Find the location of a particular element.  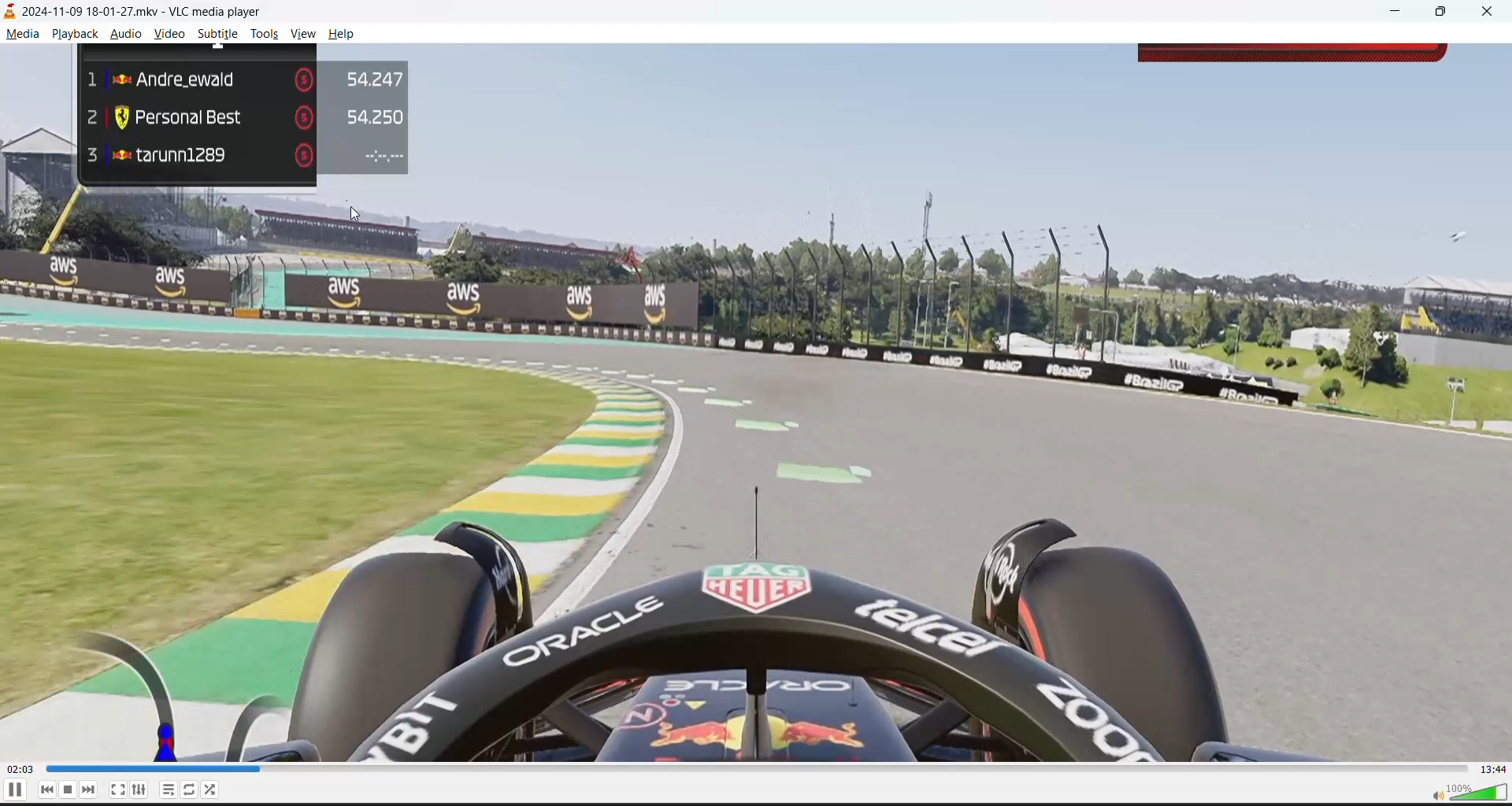

playback is located at coordinates (79, 33).